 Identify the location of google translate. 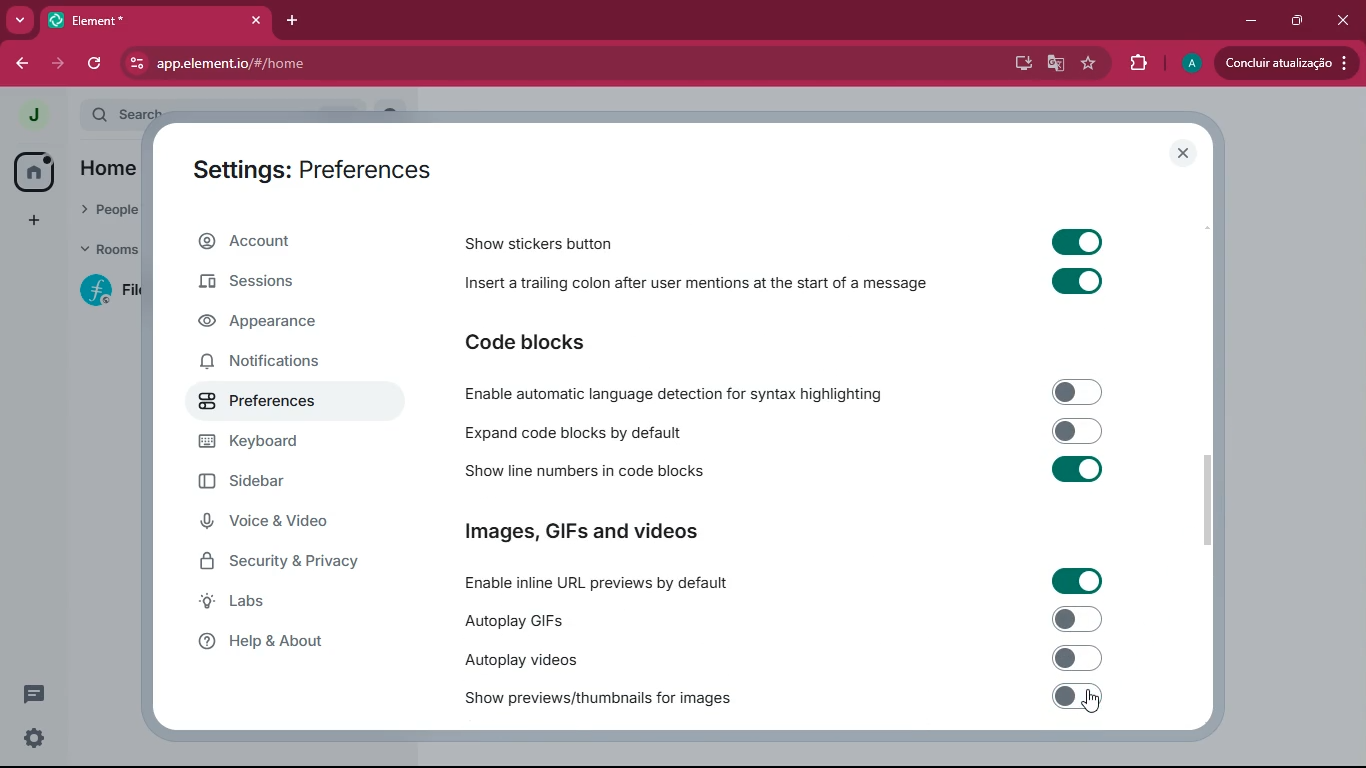
(1054, 63).